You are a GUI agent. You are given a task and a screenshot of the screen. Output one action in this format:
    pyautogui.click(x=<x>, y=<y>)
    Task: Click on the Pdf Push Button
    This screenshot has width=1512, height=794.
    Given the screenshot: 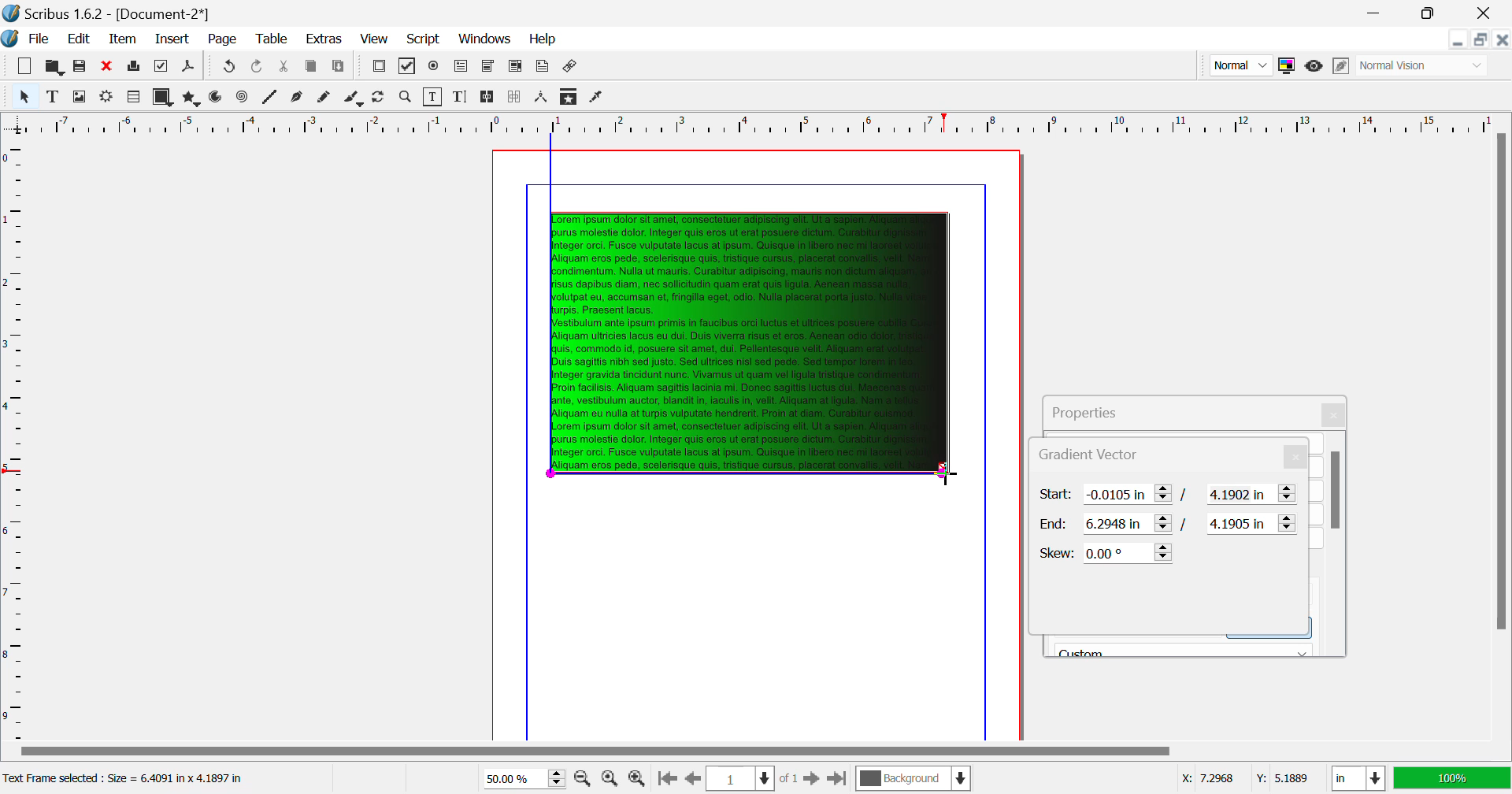 What is the action you would take?
    pyautogui.click(x=379, y=68)
    